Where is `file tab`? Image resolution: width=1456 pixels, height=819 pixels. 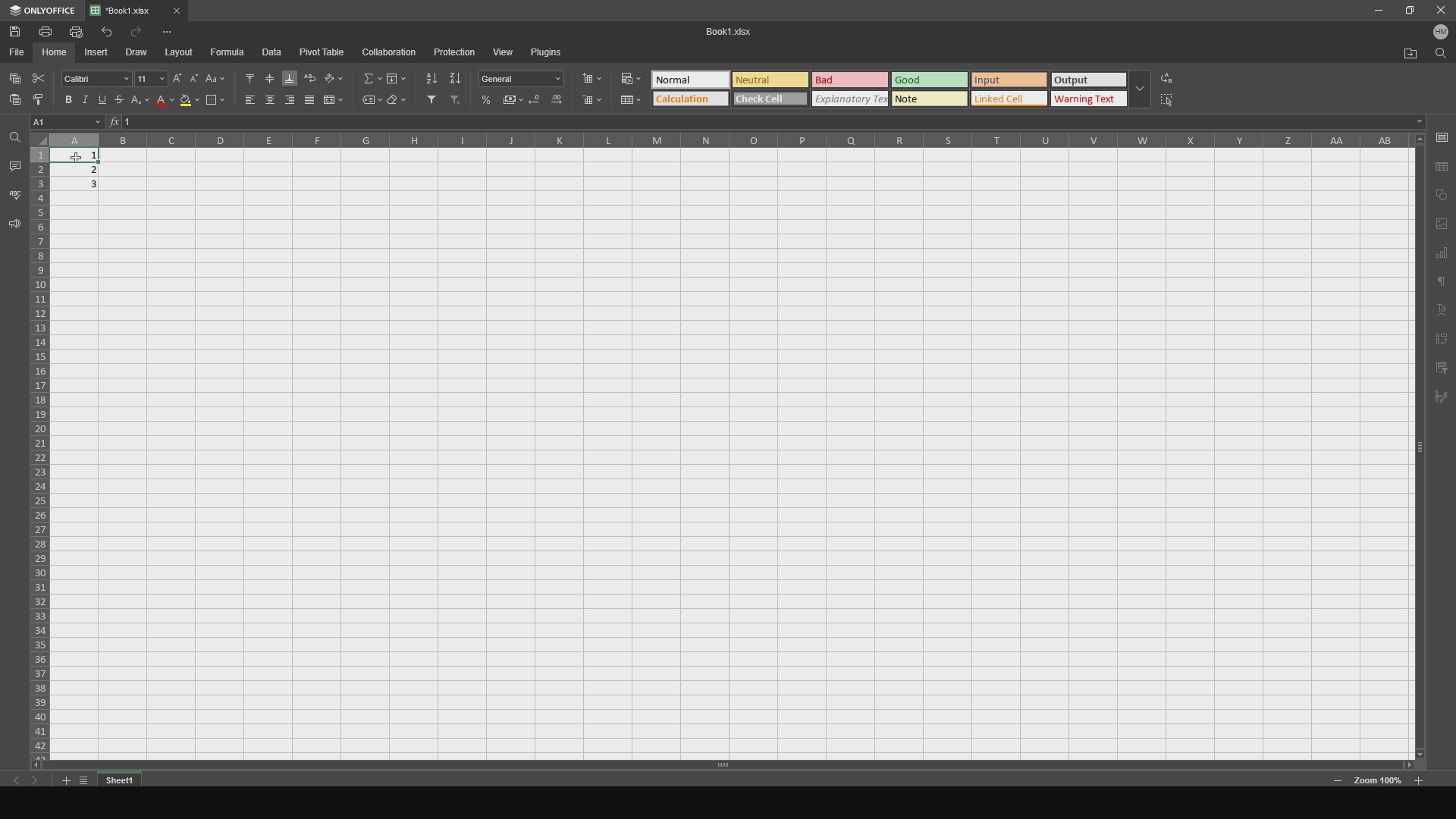 file tab is located at coordinates (154, 9).